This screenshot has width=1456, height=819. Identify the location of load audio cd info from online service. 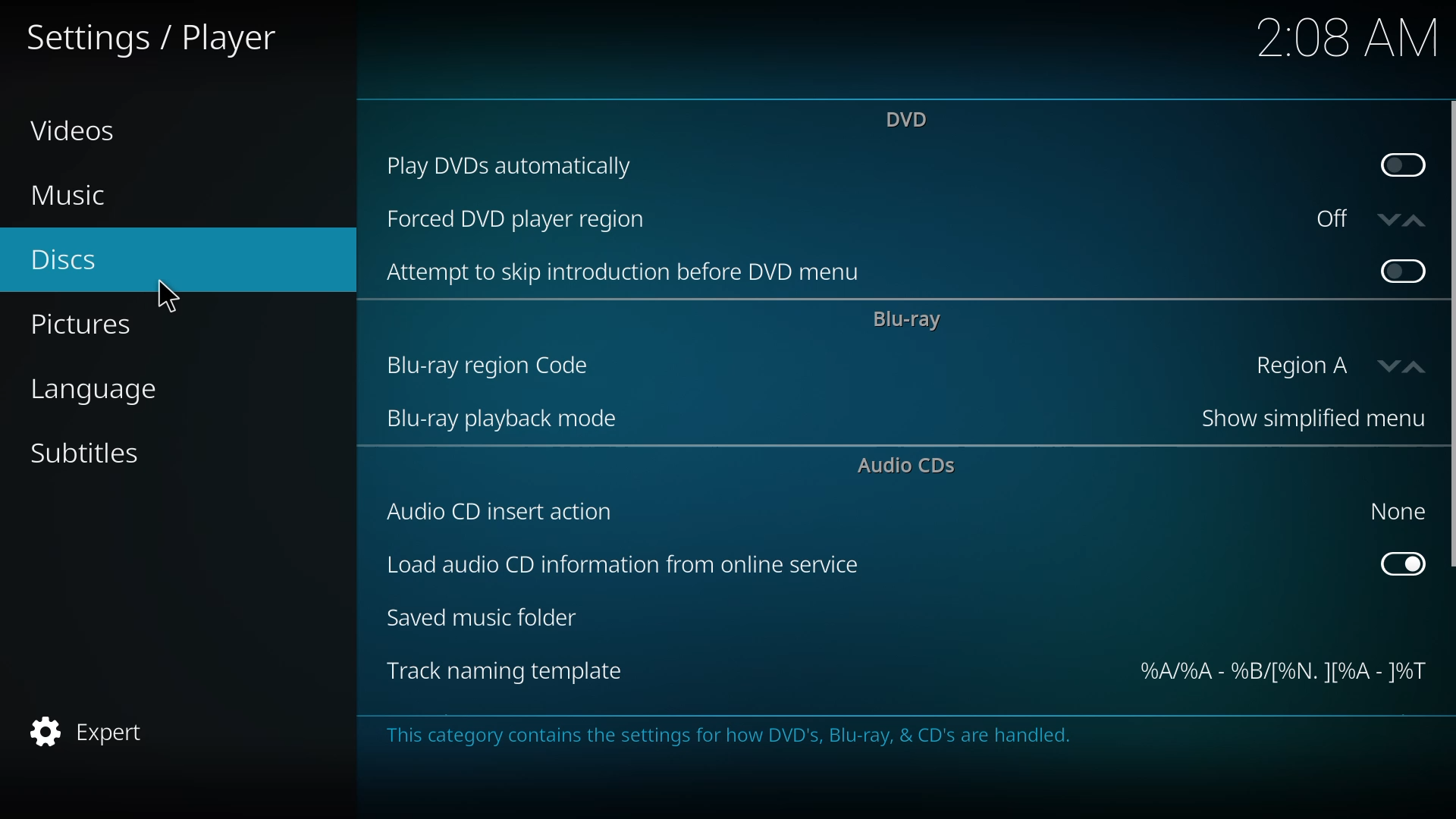
(620, 567).